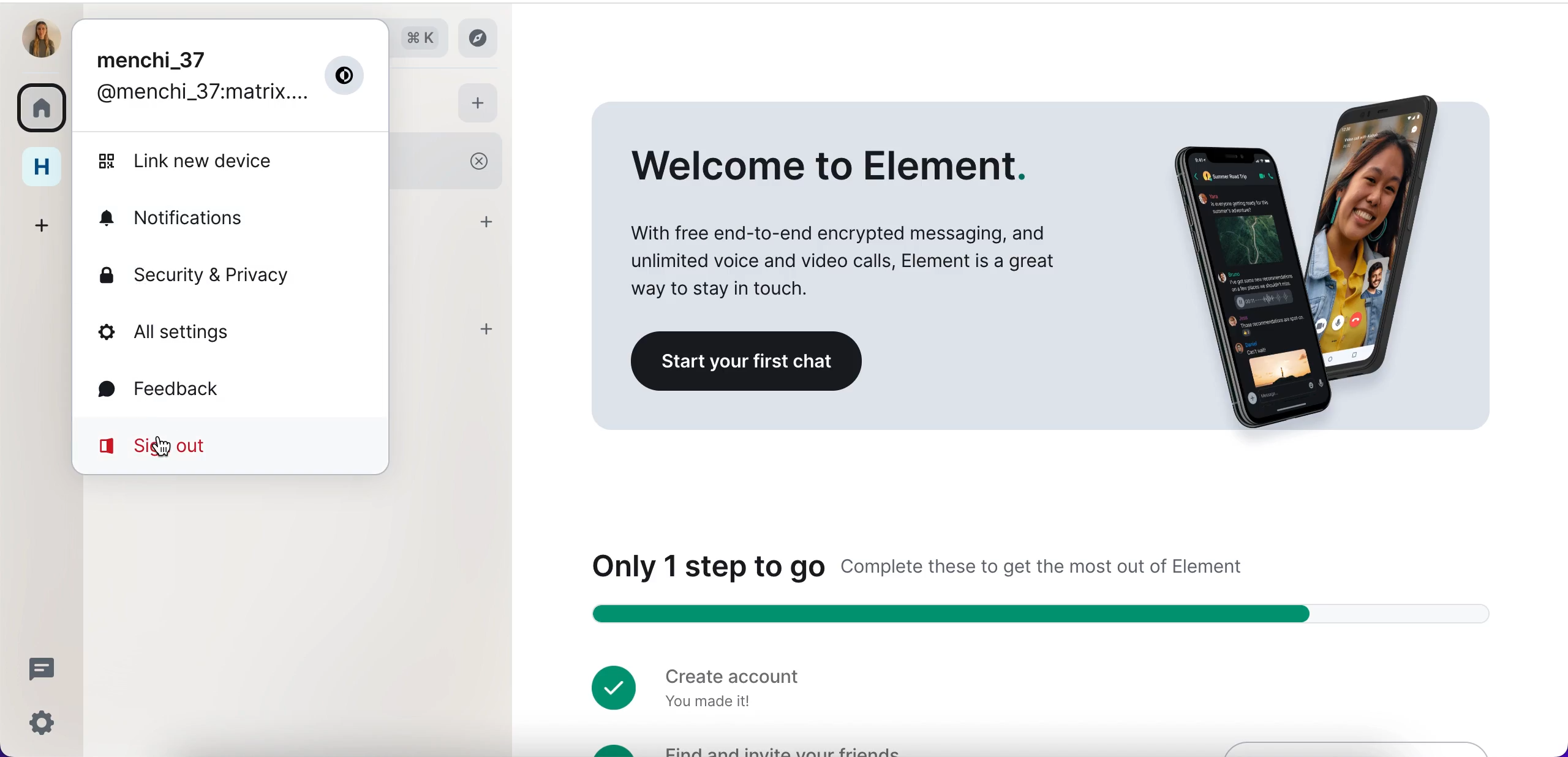 Image resolution: width=1568 pixels, height=757 pixels. I want to click on user, so click(42, 38).